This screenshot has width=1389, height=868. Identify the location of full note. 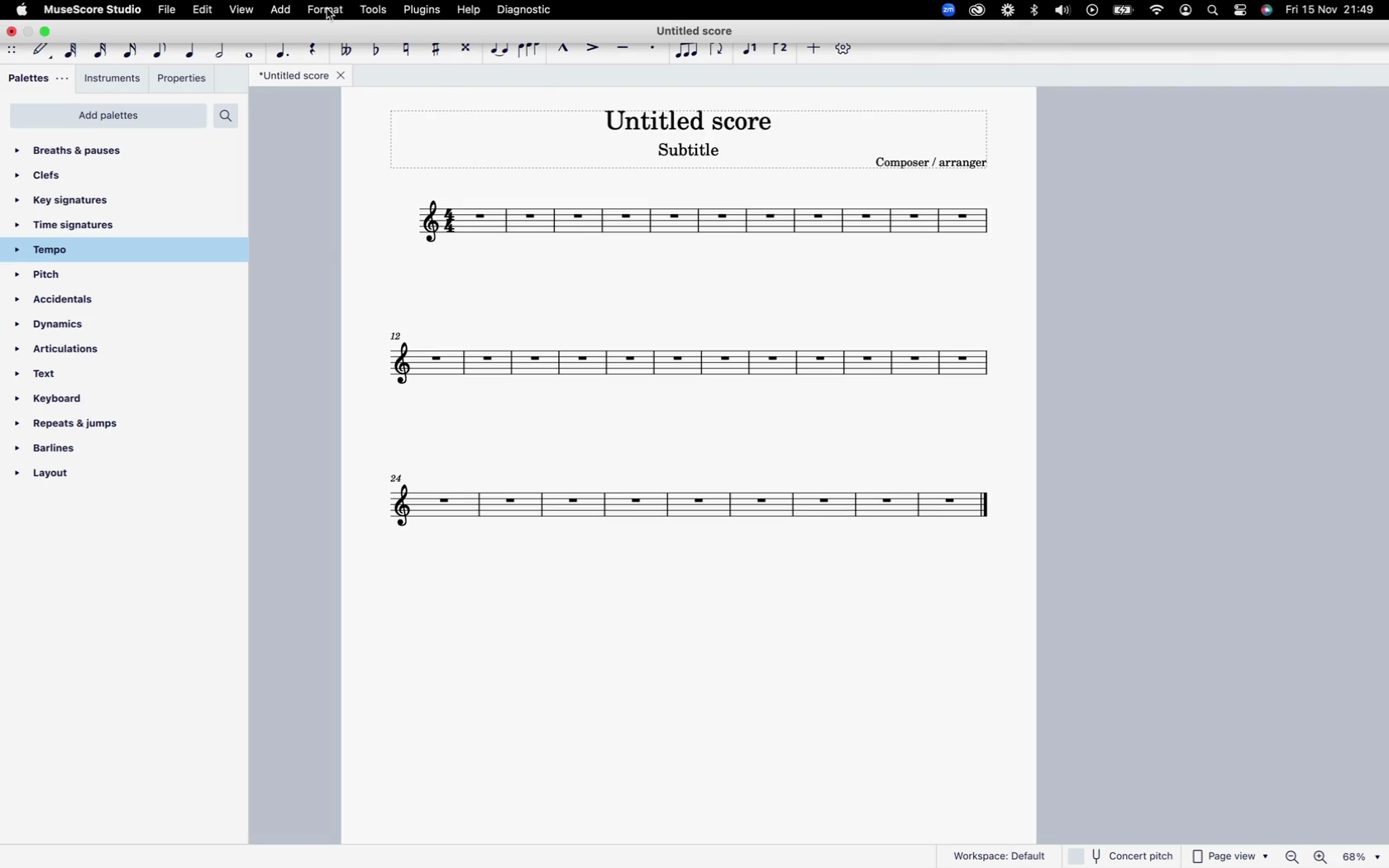
(251, 51).